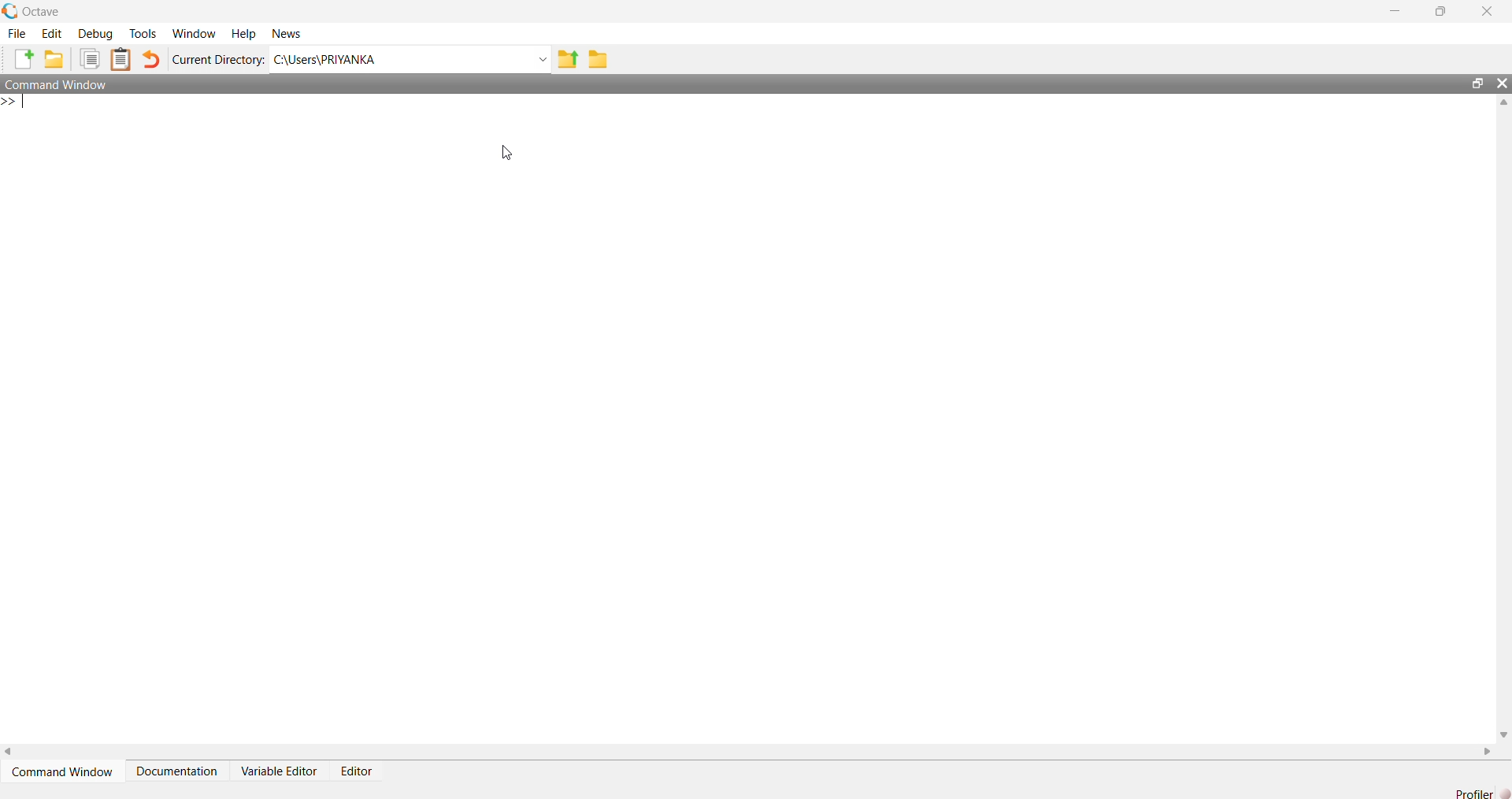 The image size is (1512, 799). Describe the element at coordinates (152, 58) in the screenshot. I see `Undo` at that location.